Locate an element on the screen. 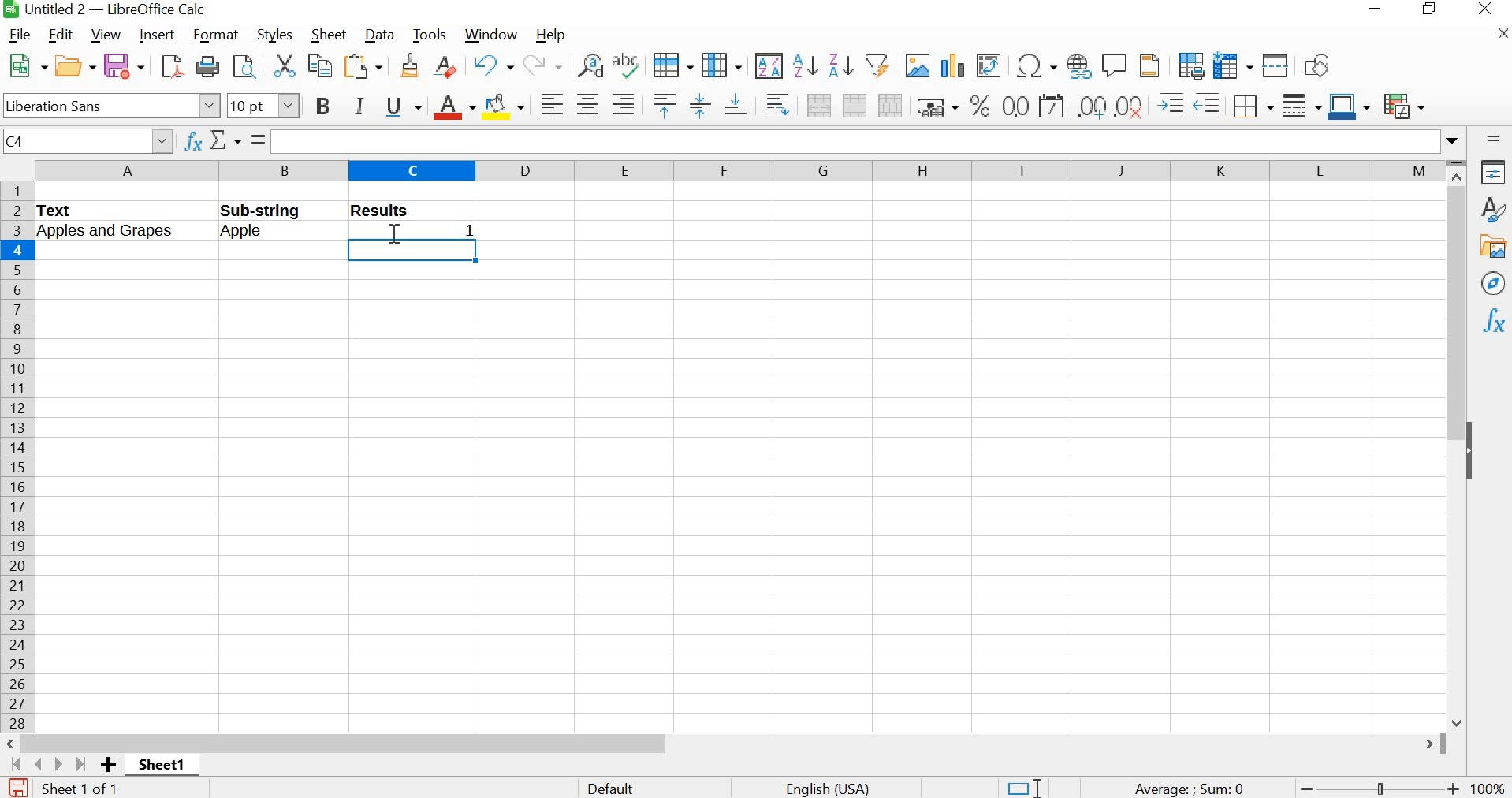 The height and width of the screenshot is (798, 1512). format as currency is located at coordinates (935, 106).